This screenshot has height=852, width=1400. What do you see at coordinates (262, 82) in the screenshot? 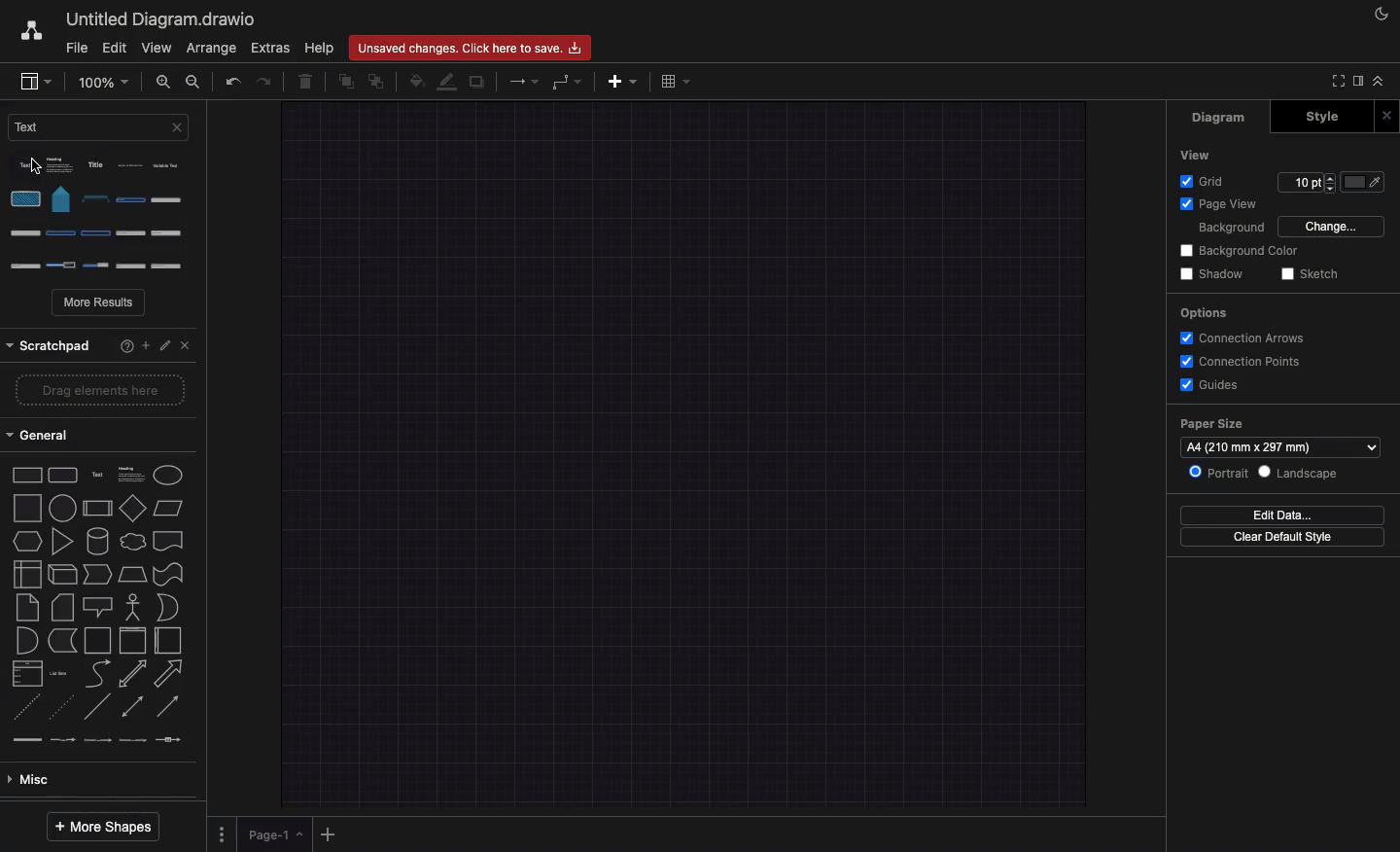
I see `Redo` at bounding box center [262, 82].